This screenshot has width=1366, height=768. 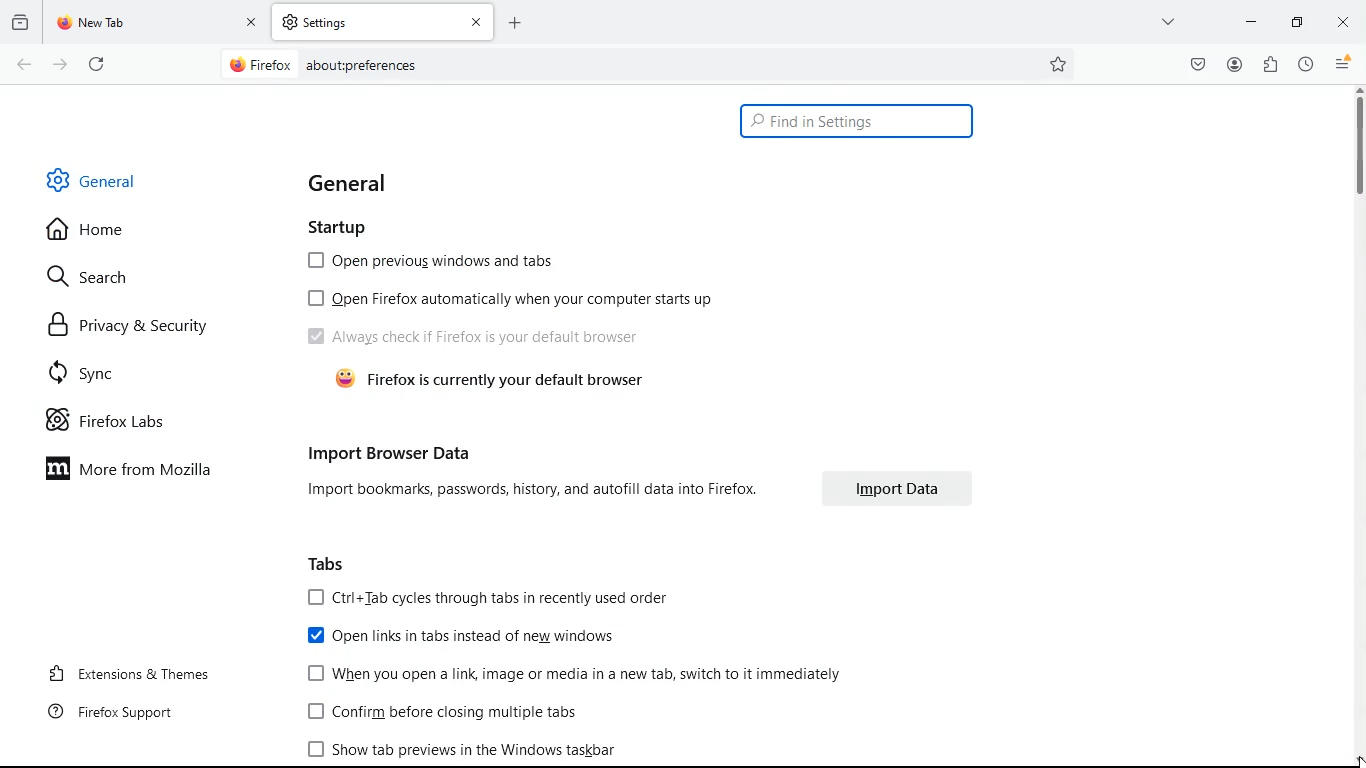 What do you see at coordinates (361, 65) in the screenshot?
I see `about:prefernces` at bounding box center [361, 65].